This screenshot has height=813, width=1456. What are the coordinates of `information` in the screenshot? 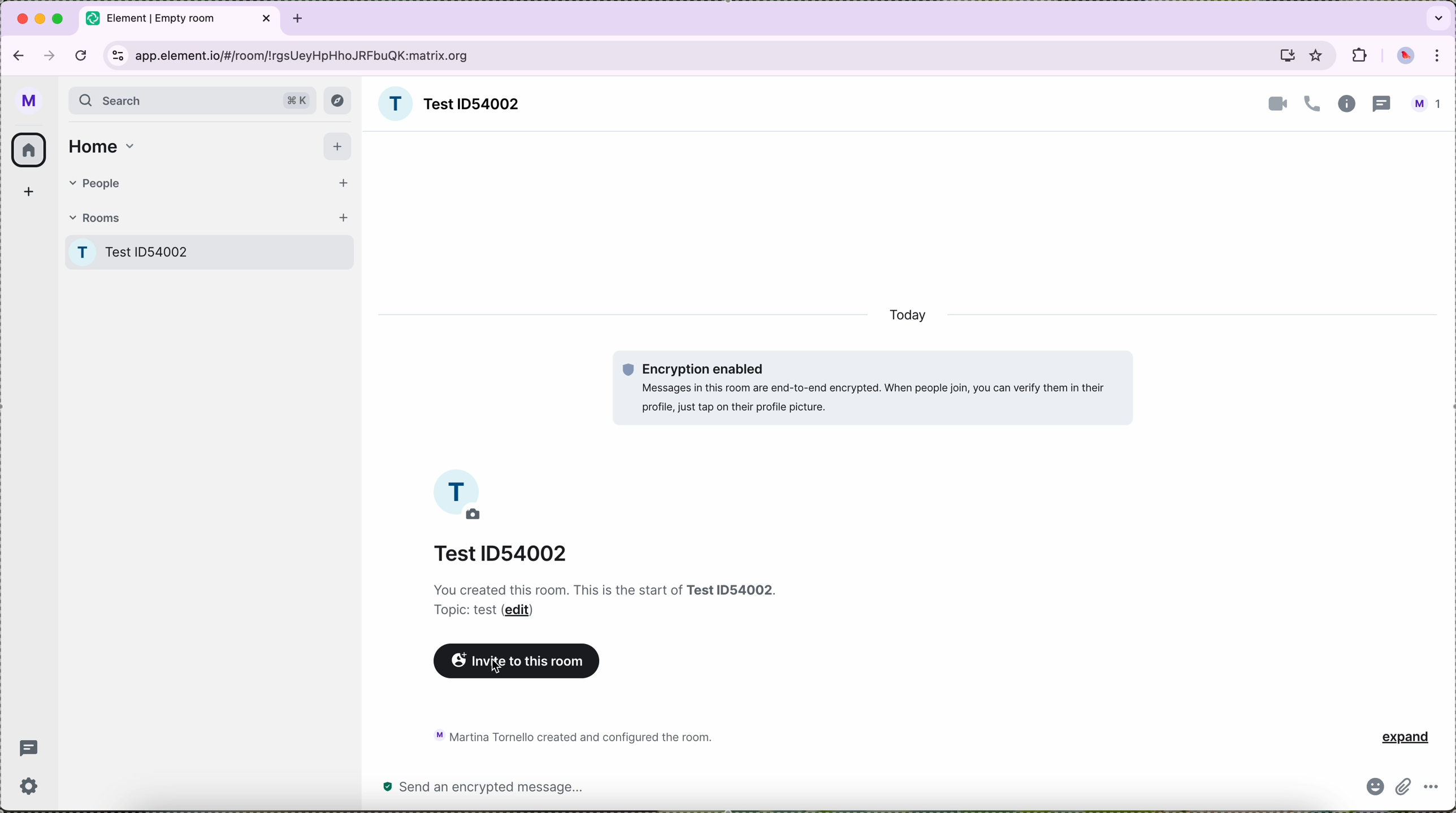 It's located at (1346, 105).